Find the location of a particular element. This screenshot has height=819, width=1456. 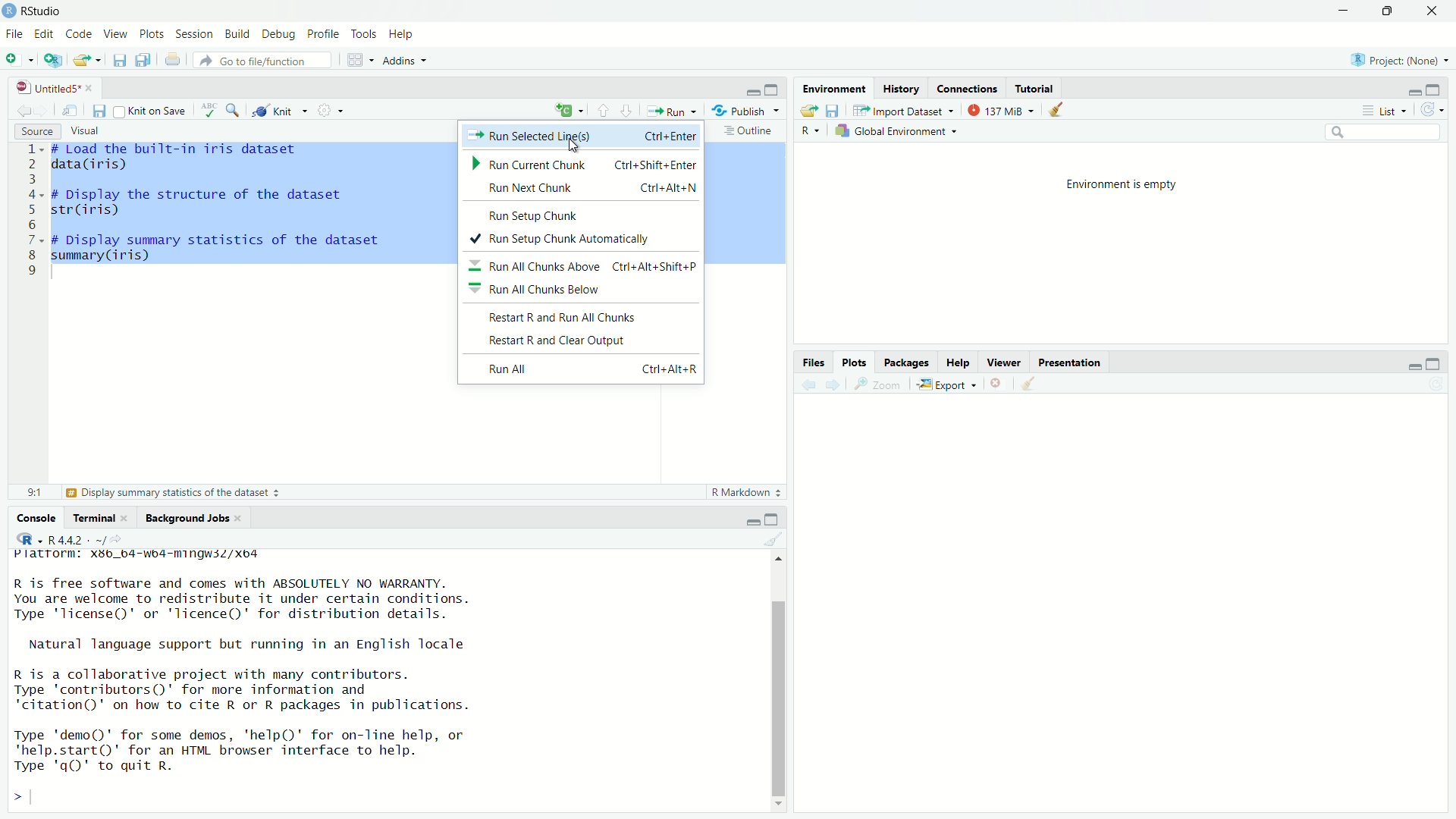

Hide is located at coordinates (1411, 90).